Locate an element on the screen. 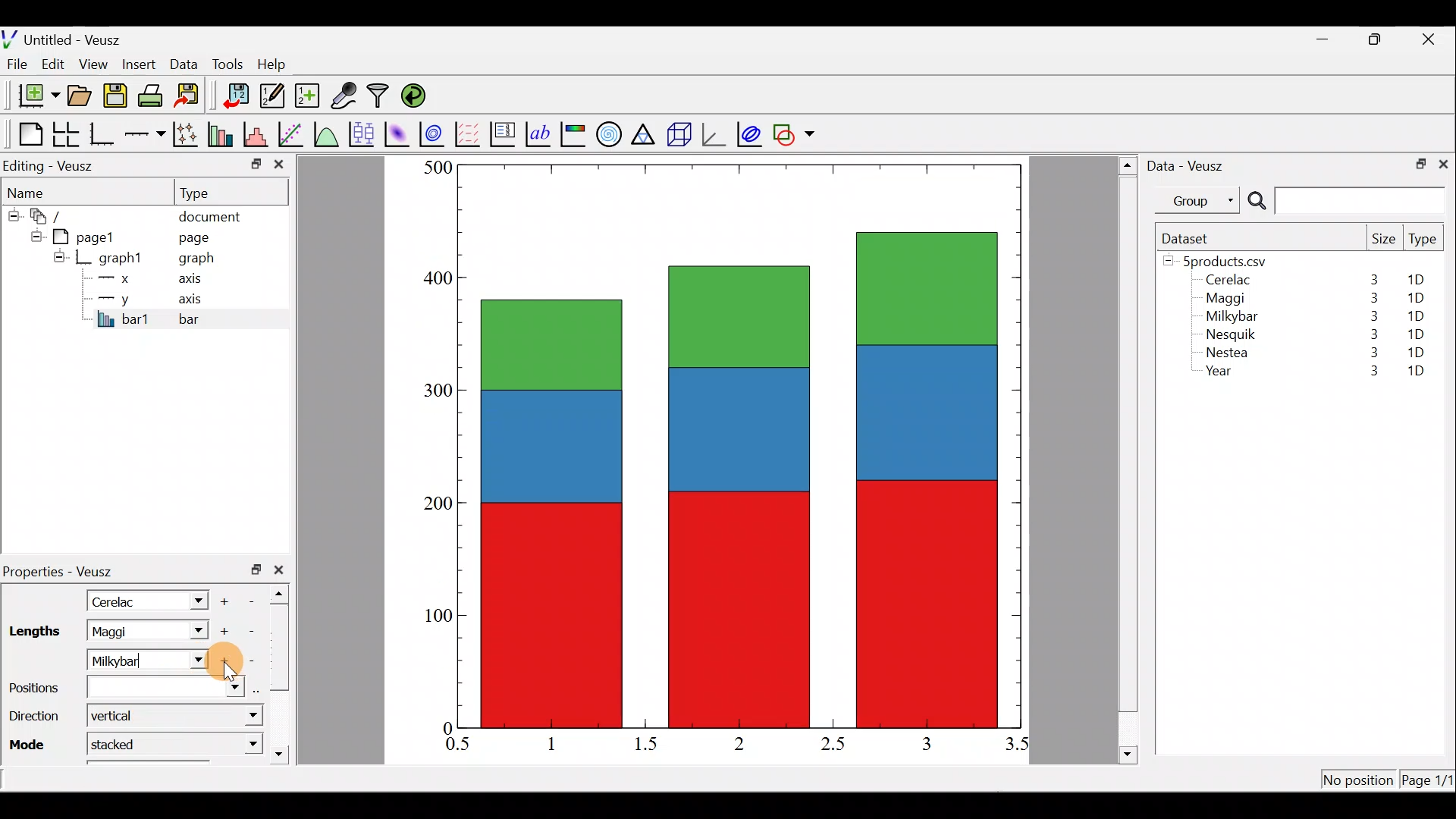  axis is located at coordinates (195, 281).